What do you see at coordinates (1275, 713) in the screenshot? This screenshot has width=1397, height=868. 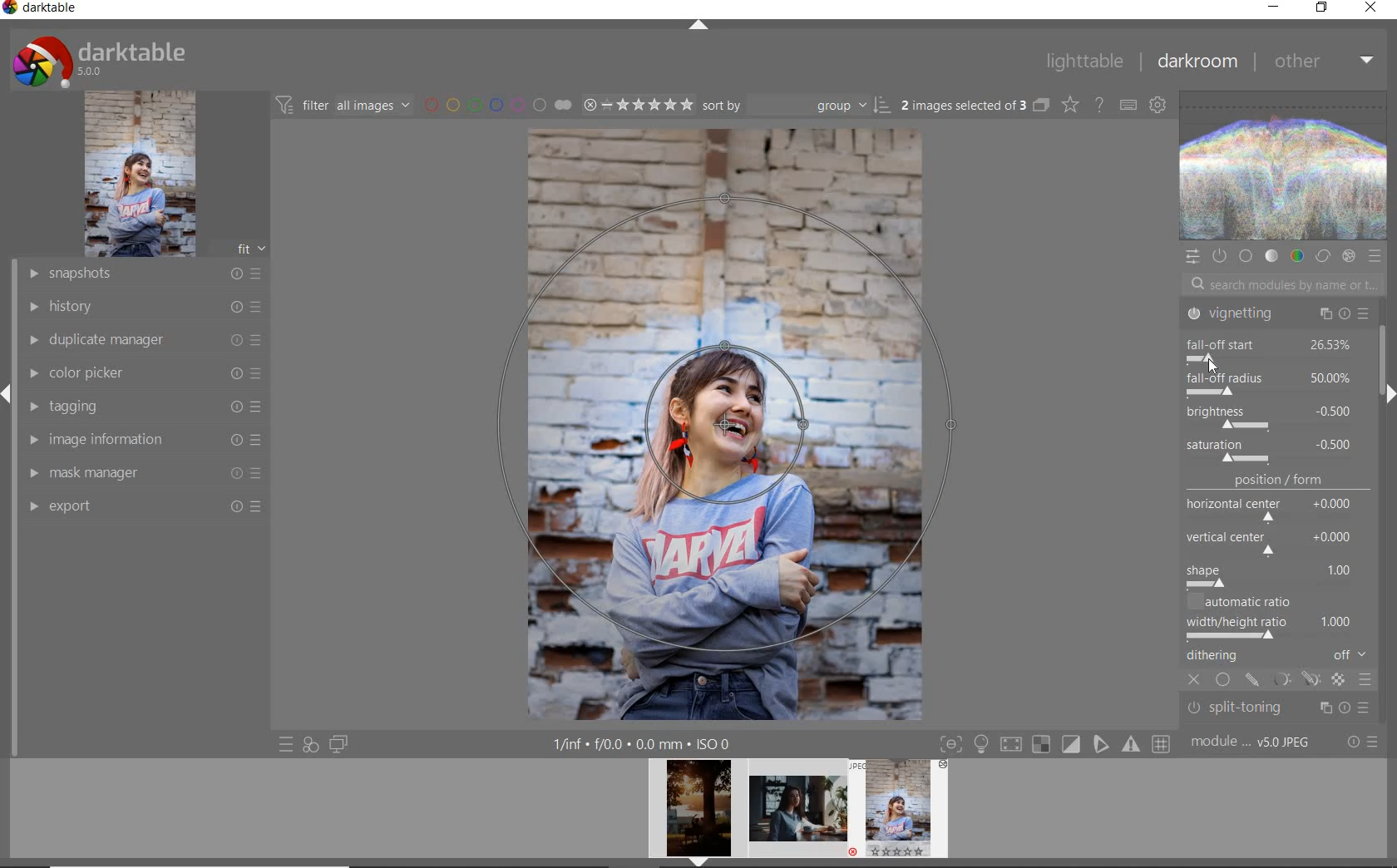 I see `lens correction` at bounding box center [1275, 713].